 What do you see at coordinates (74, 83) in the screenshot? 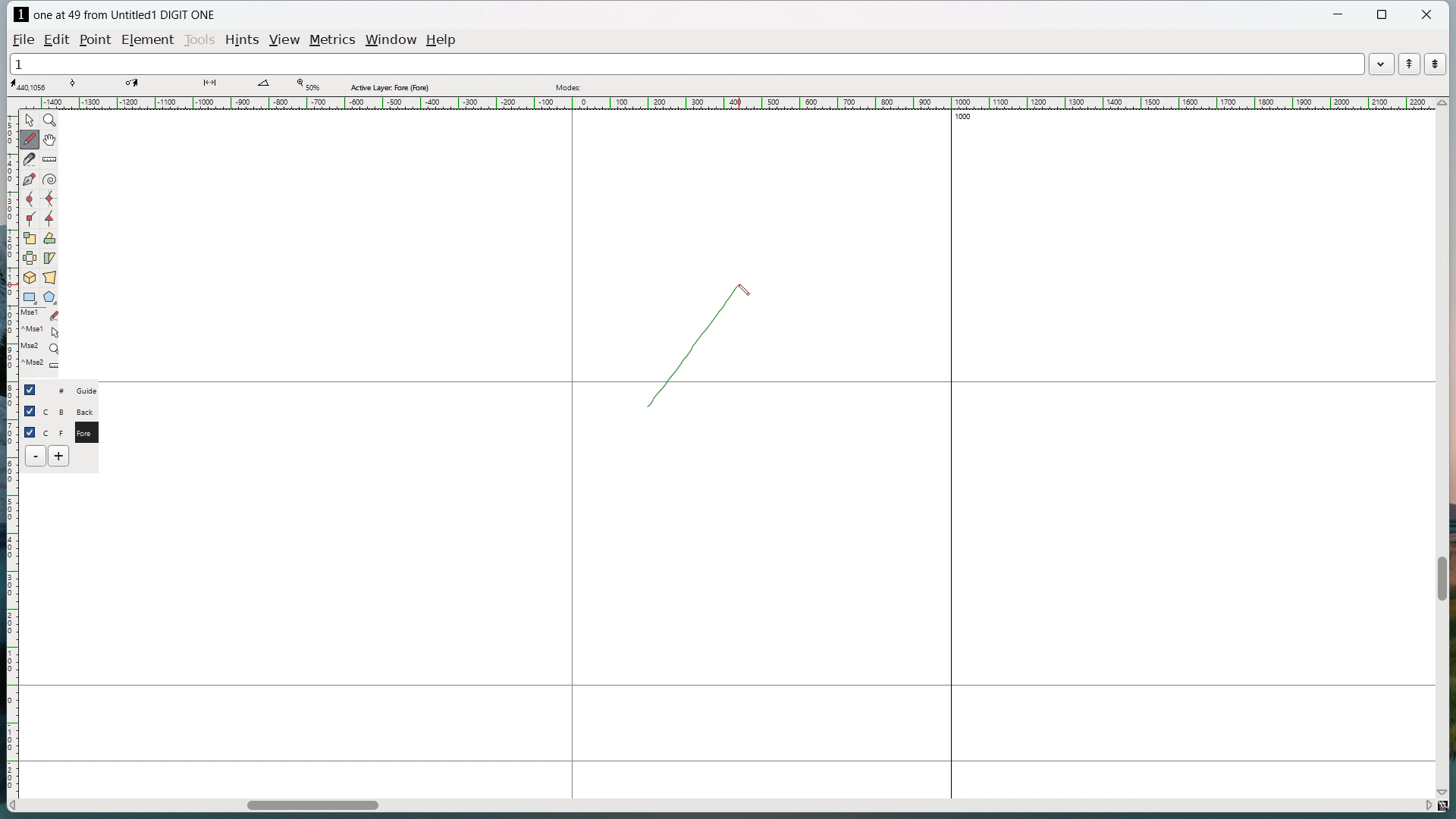
I see `tangent` at bounding box center [74, 83].